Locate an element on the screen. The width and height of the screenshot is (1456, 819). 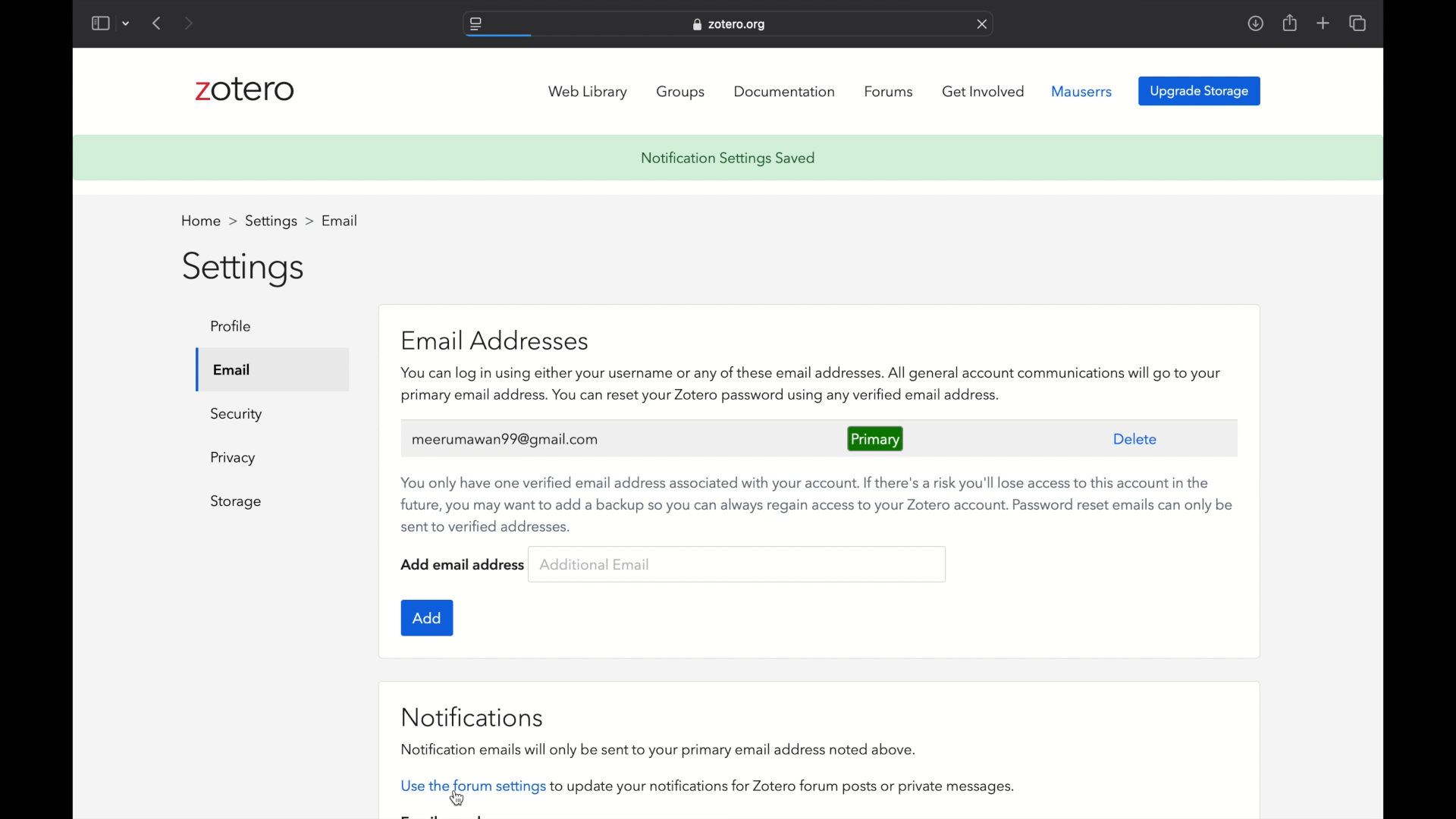
notifications  is located at coordinates (472, 717).